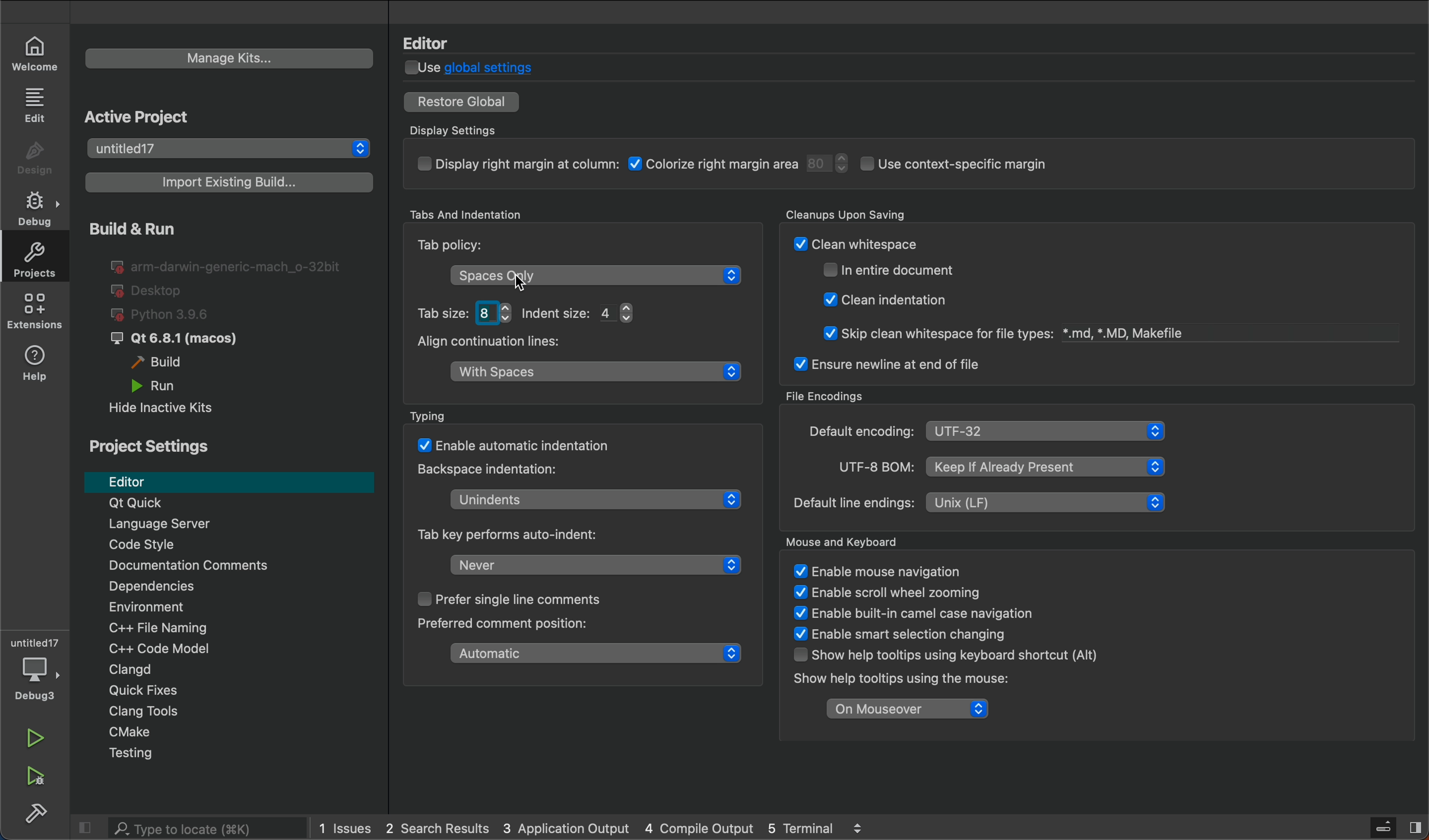 Image resolution: width=1429 pixels, height=840 pixels. Describe the element at coordinates (157, 387) in the screenshot. I see `run` at that location.